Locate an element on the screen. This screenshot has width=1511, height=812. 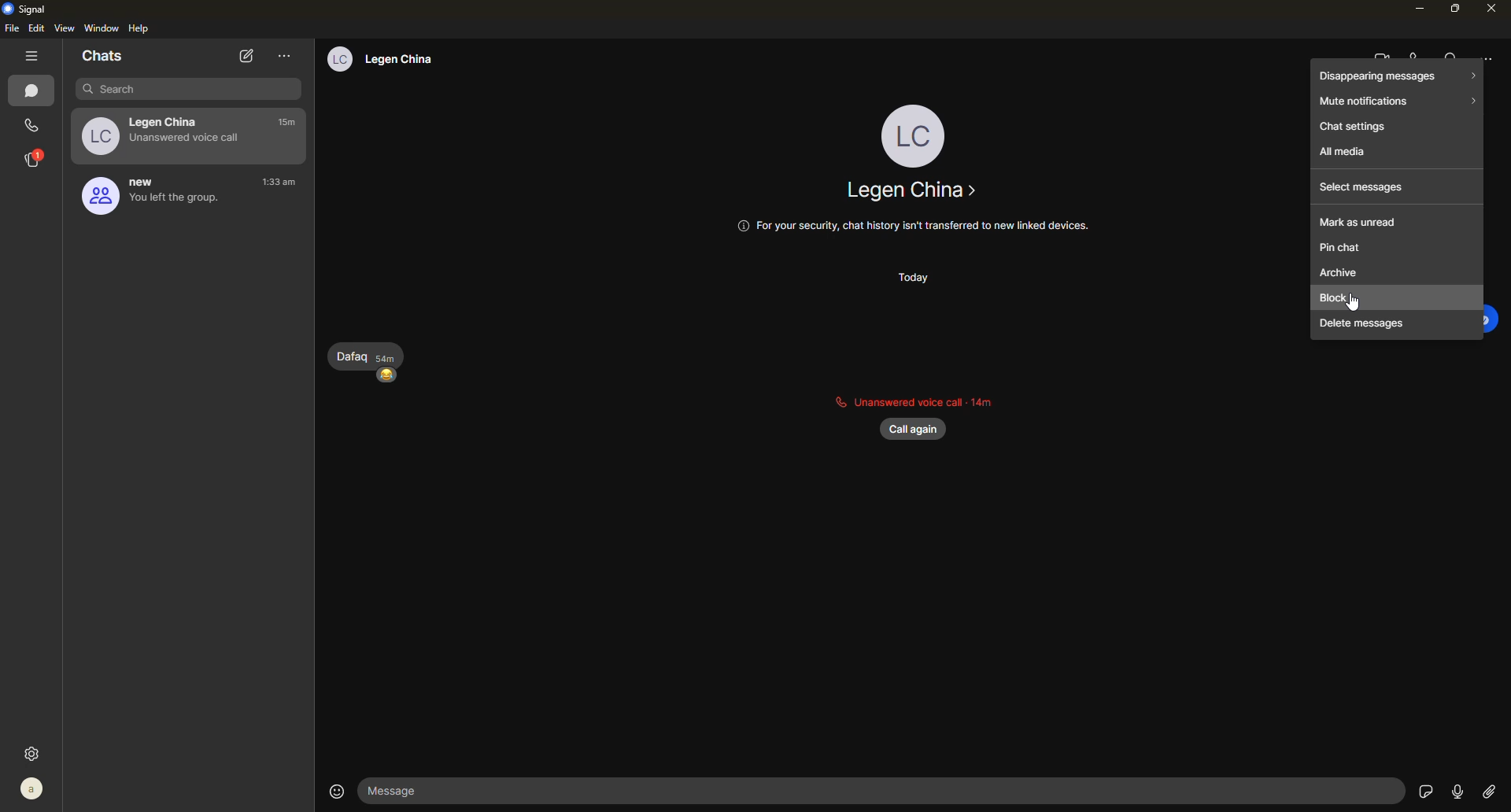
edit is located at coordinates (38, 28).